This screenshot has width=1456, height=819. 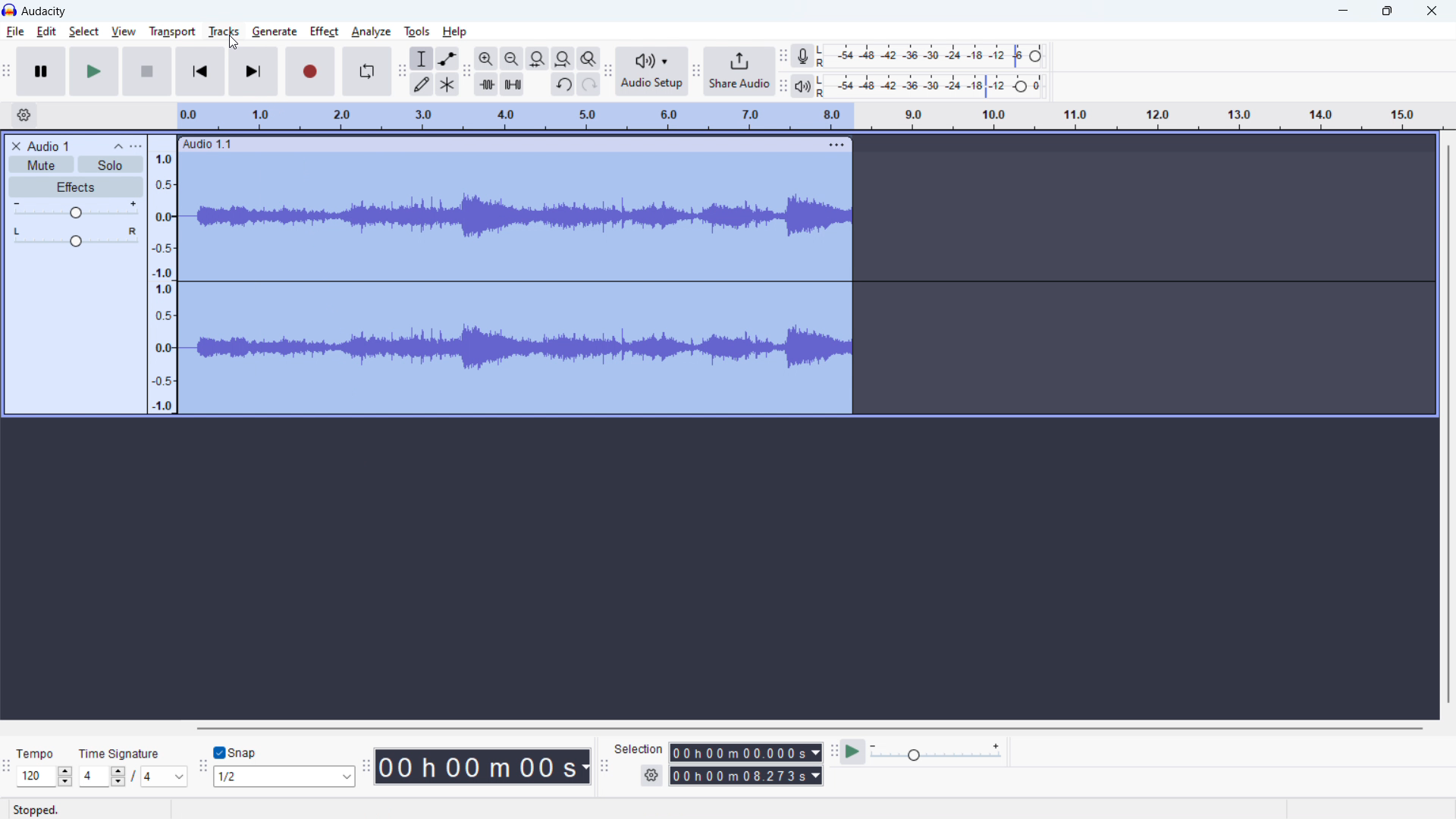 What do you see at coordinates (745, 752) in the screenshot?
I see `start time` at bounding box center [745, 752].